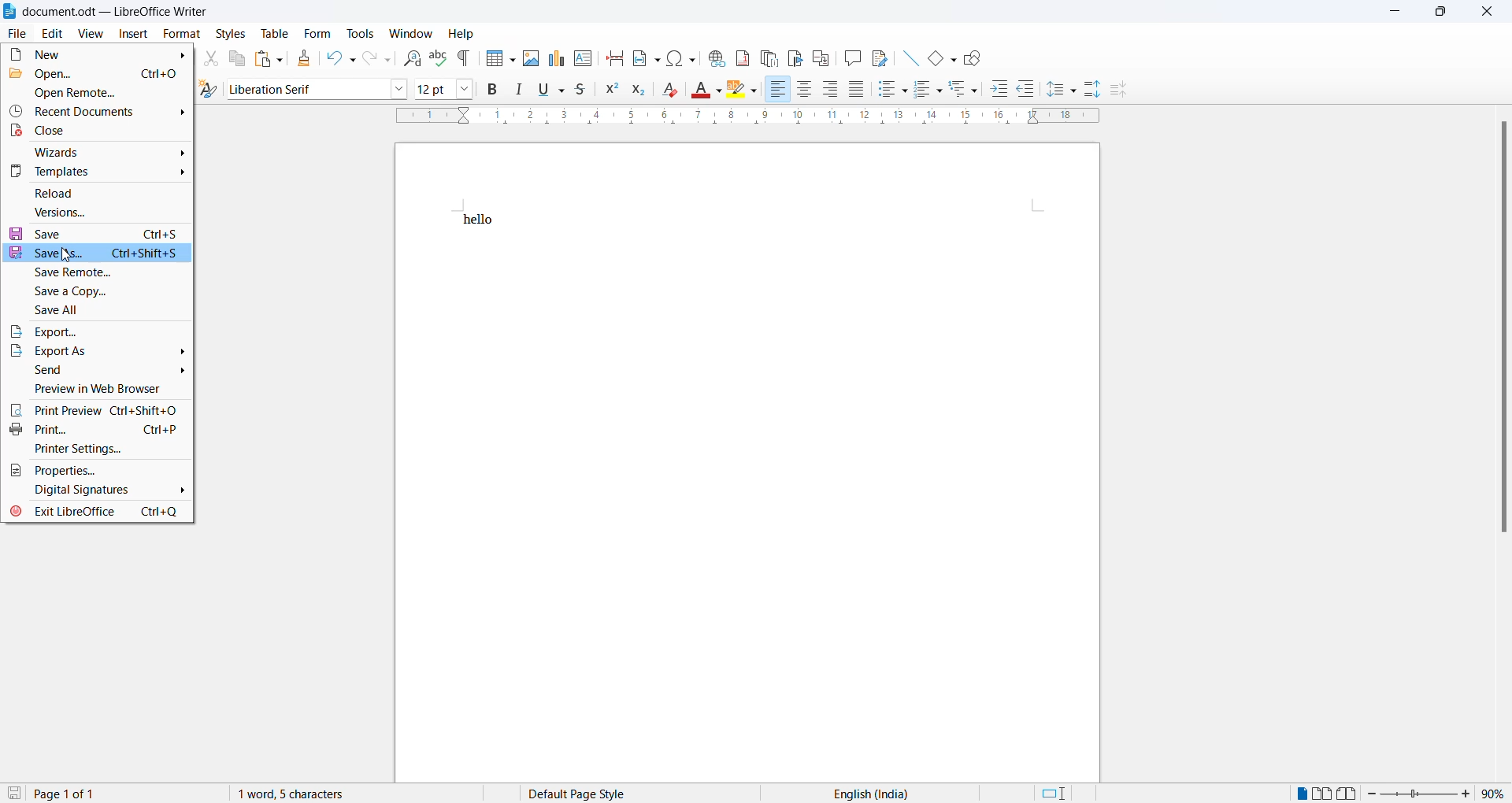  What do you see at coordinates (1398, 13) in the screenshot?
I see `minimize` at bounding box center [1398, 13].